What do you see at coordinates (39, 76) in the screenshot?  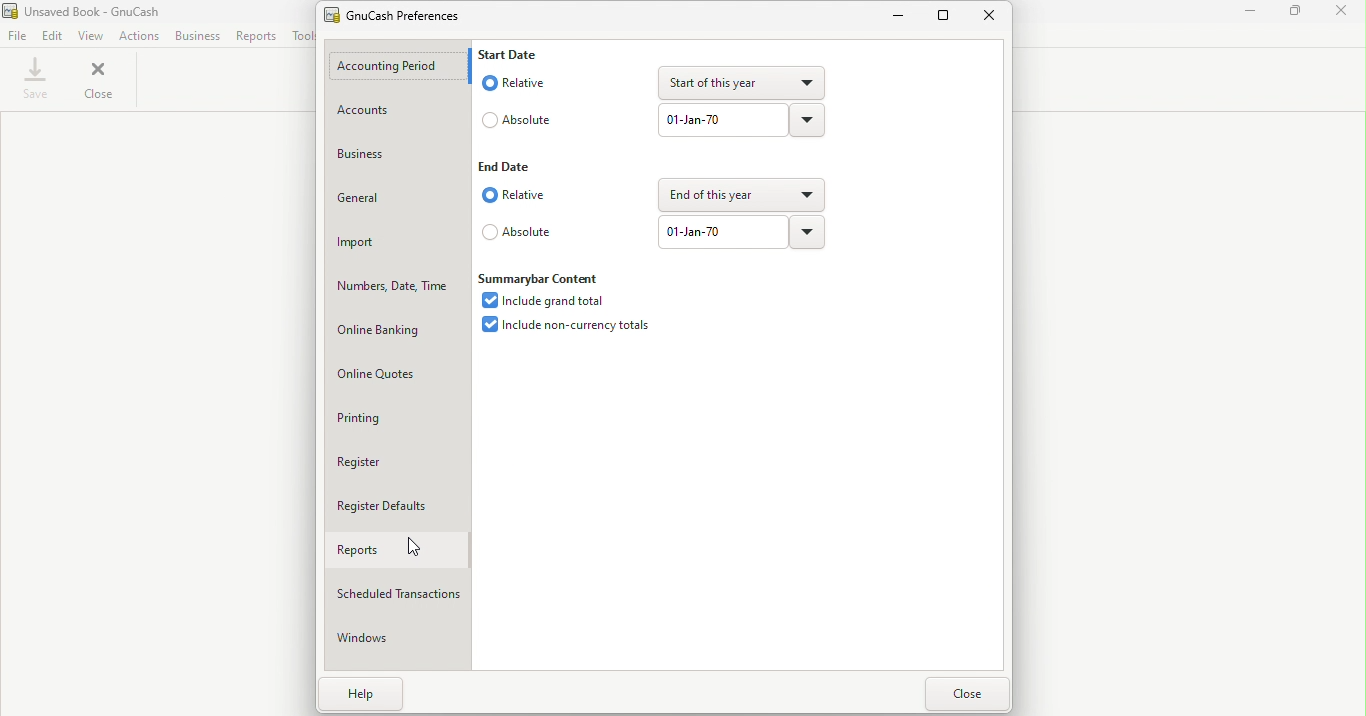 I see `Save` at bounding box center [39, 76].